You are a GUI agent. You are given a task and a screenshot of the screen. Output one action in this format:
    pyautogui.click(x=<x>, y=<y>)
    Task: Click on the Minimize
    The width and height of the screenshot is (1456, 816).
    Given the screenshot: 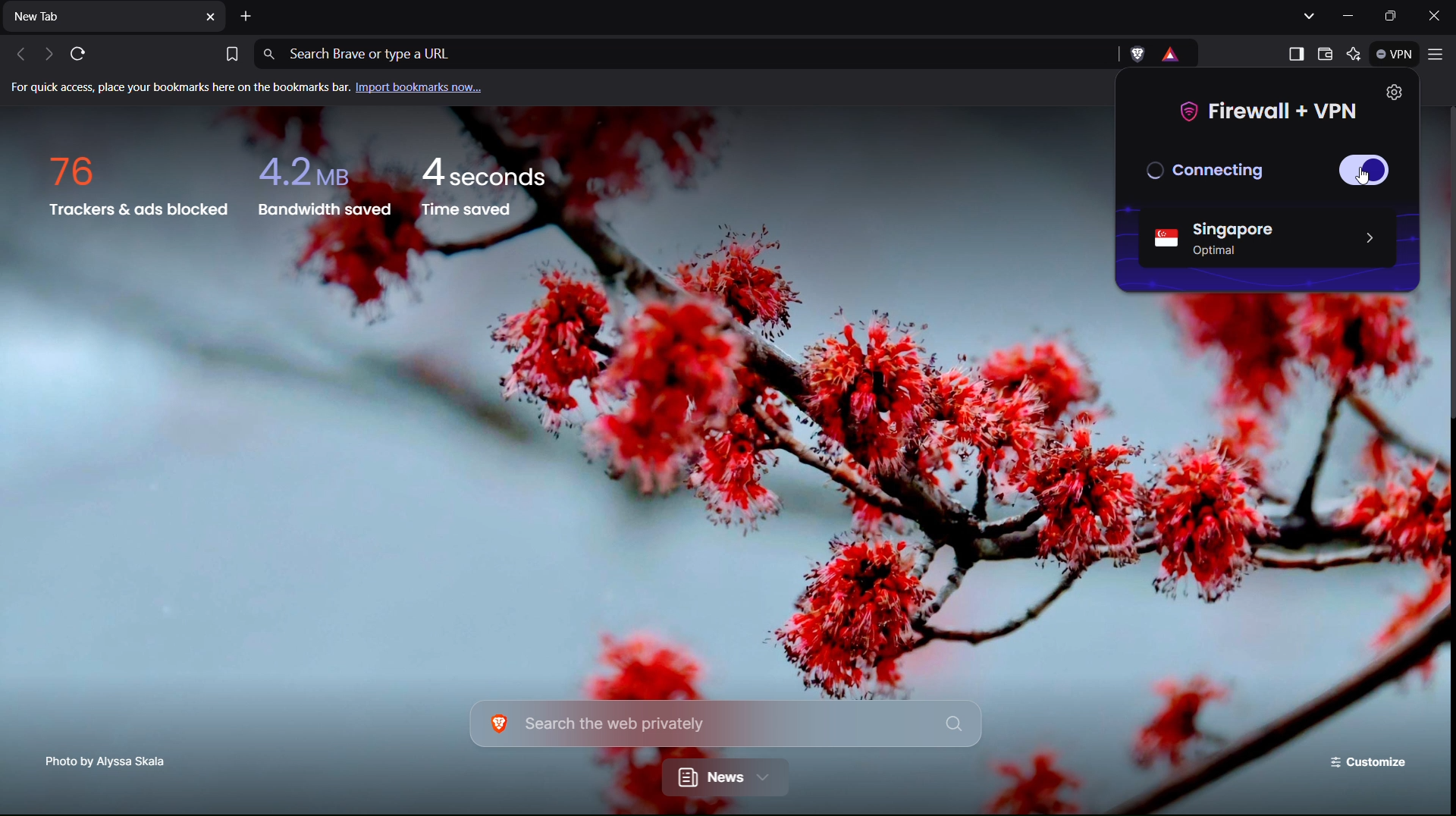 What is the action you would take?
    pyautogui.click(x=1357, y=17)
    